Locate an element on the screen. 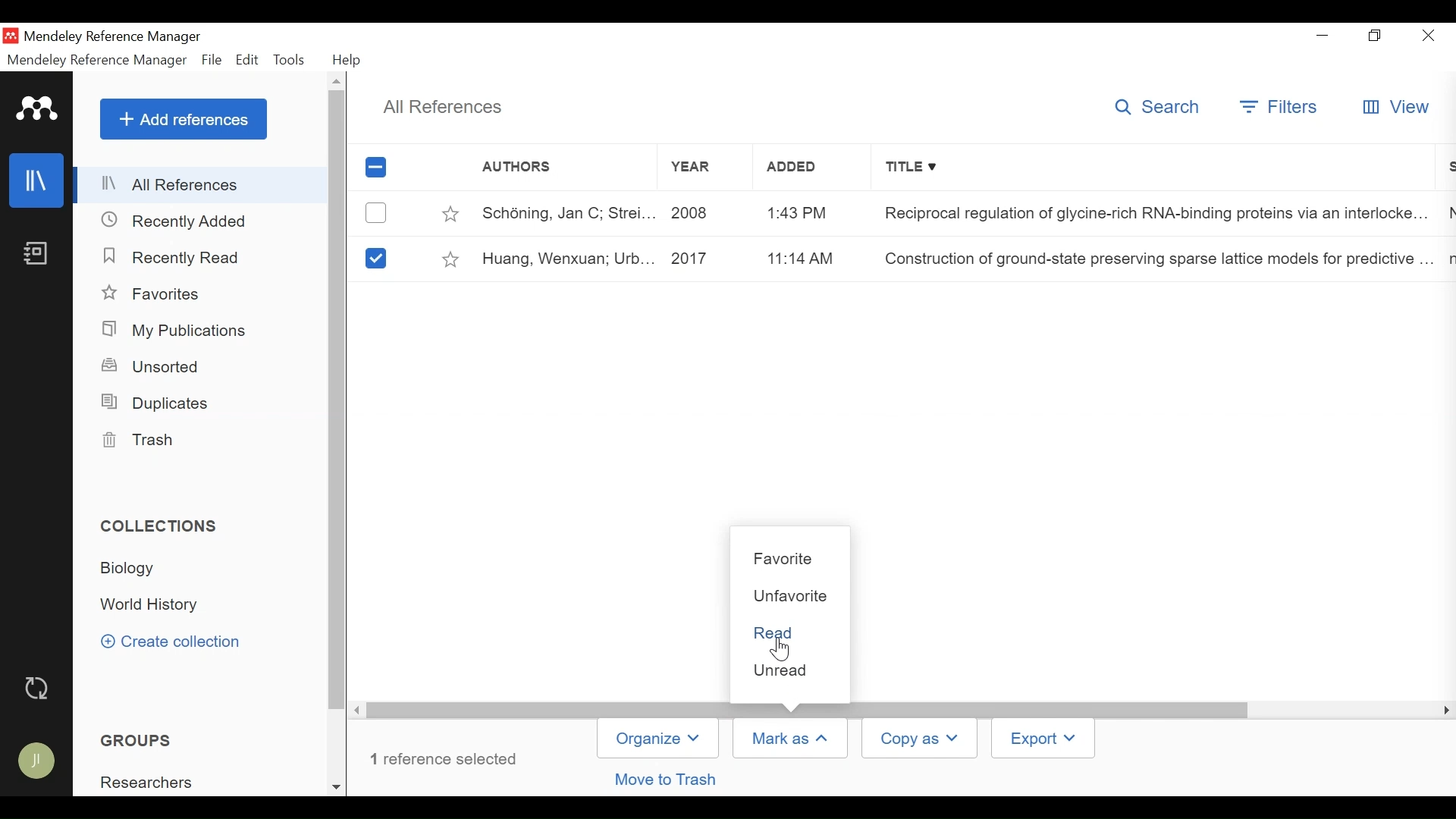 This screenshot has height=819, width=1456. Export is located at coordinates (1046, 738).